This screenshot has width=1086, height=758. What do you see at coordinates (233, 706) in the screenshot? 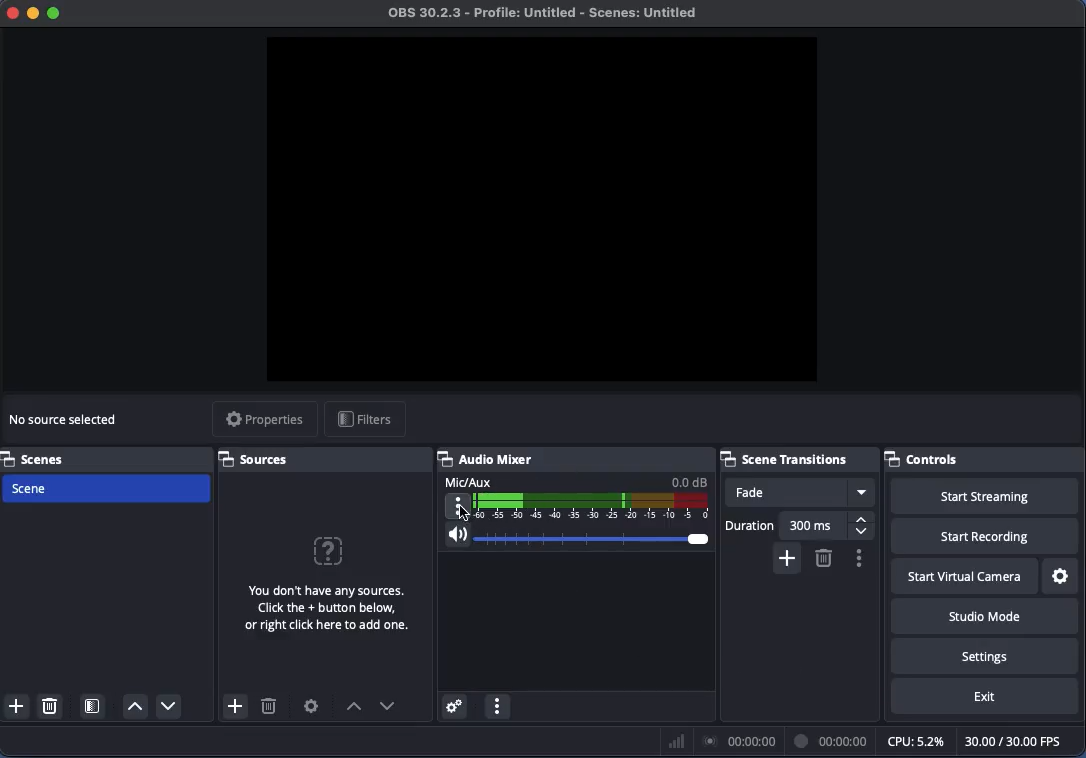
I see `Add source` at bounding box center [233, 706].